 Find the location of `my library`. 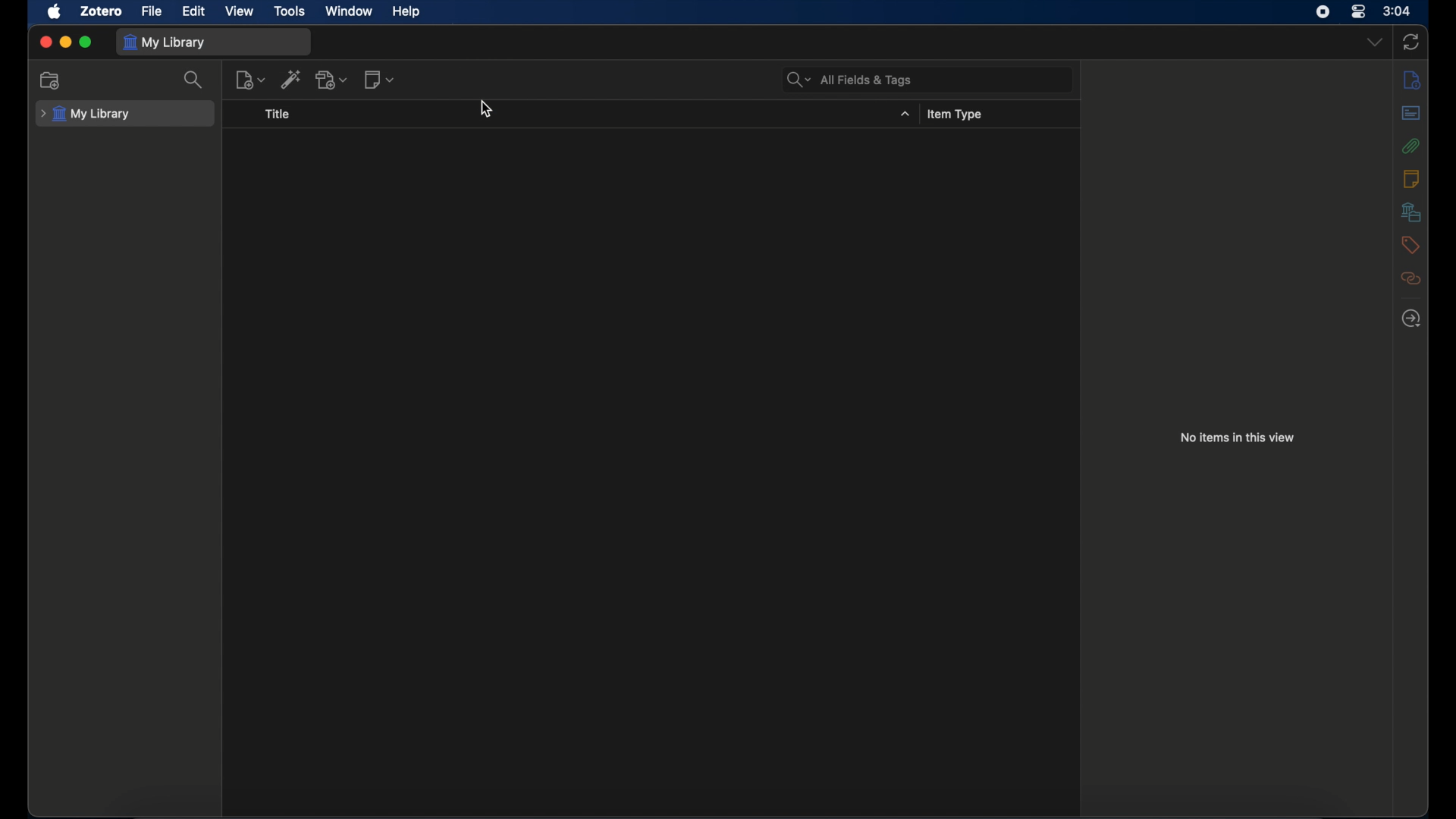

my library is located at coordinates (87, 115).